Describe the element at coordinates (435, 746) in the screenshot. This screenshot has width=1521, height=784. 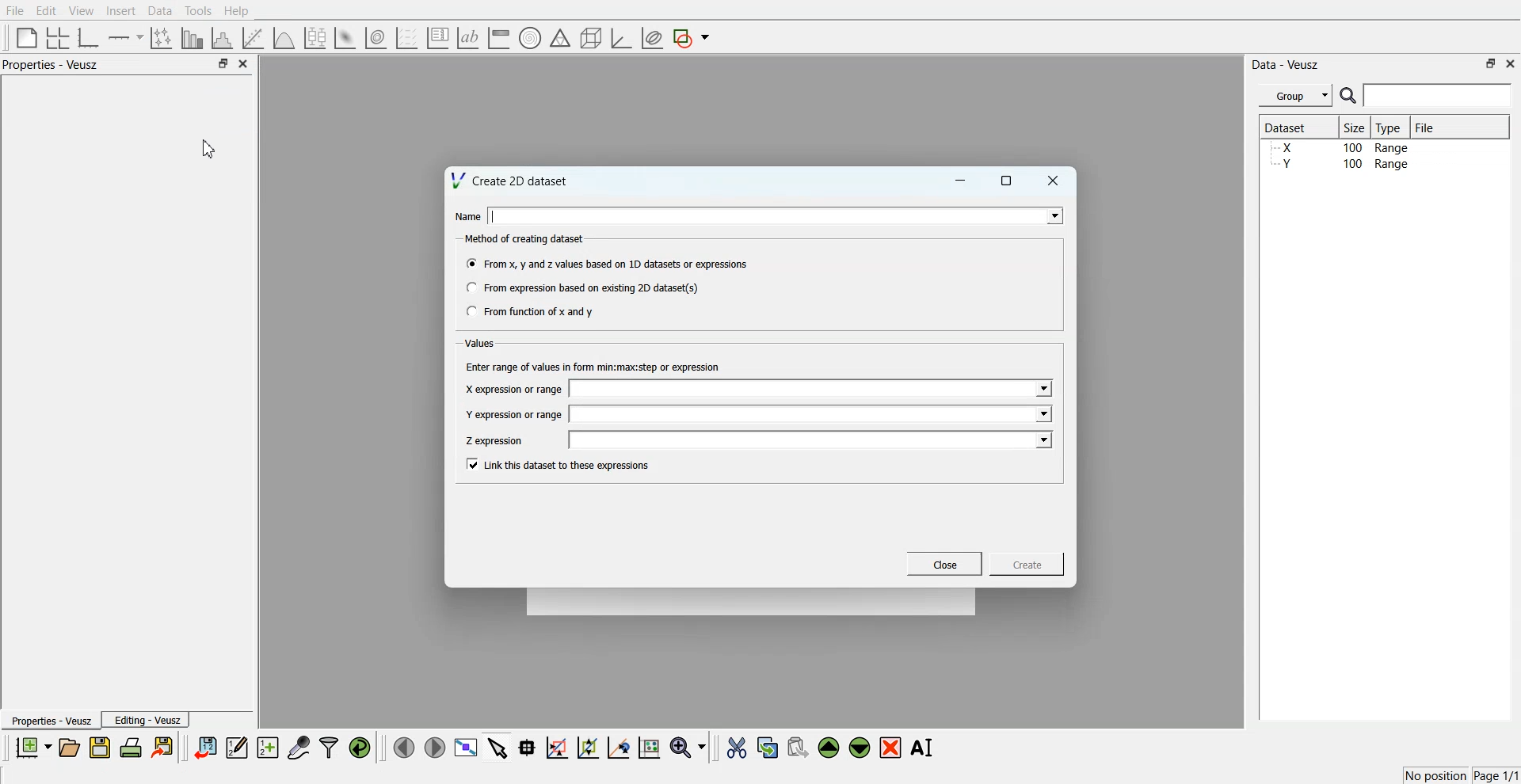
I see `Move to the next page` at that location.